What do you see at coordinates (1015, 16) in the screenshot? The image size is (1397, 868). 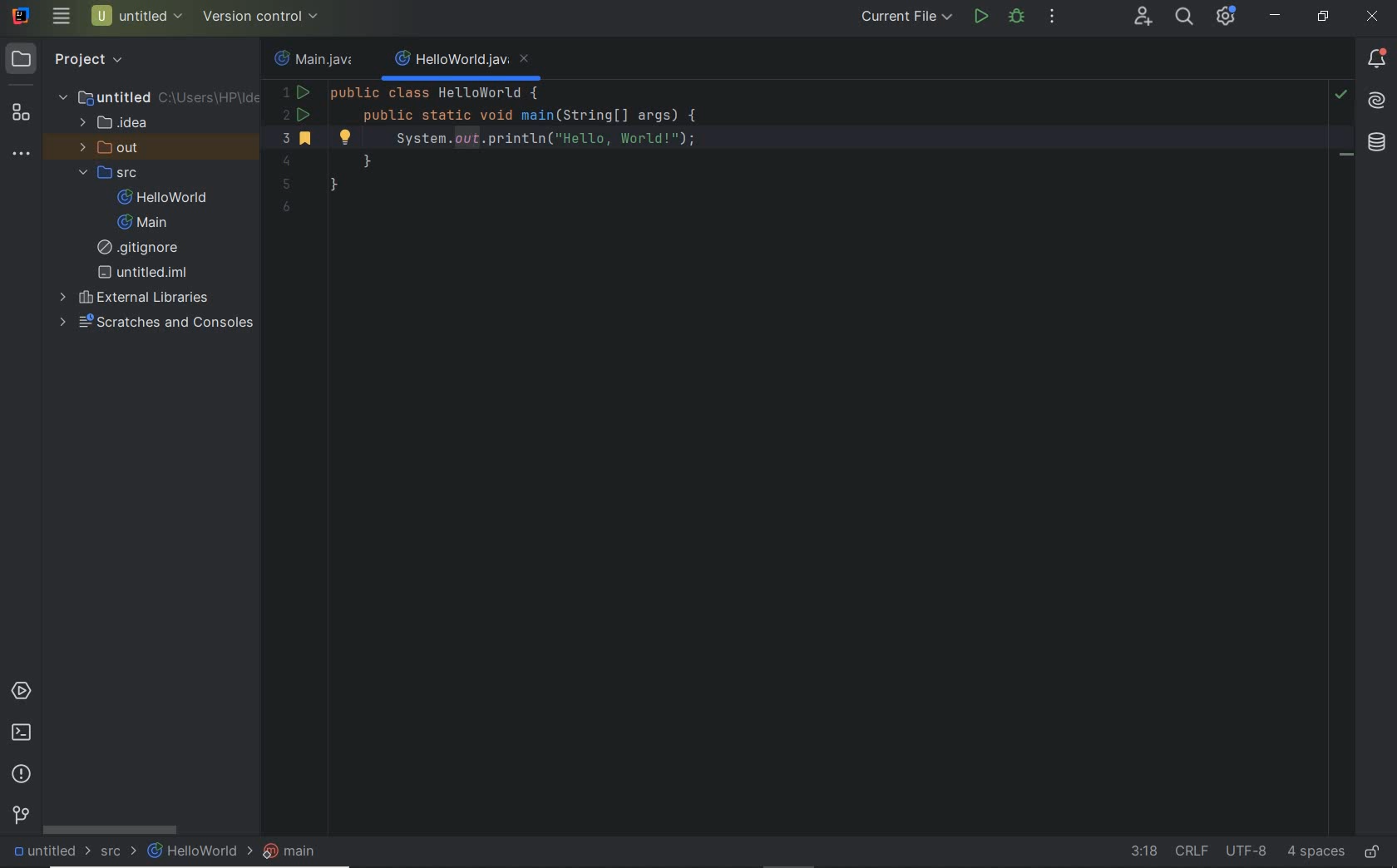 I see `debug` at bounding box center [1015, 16].